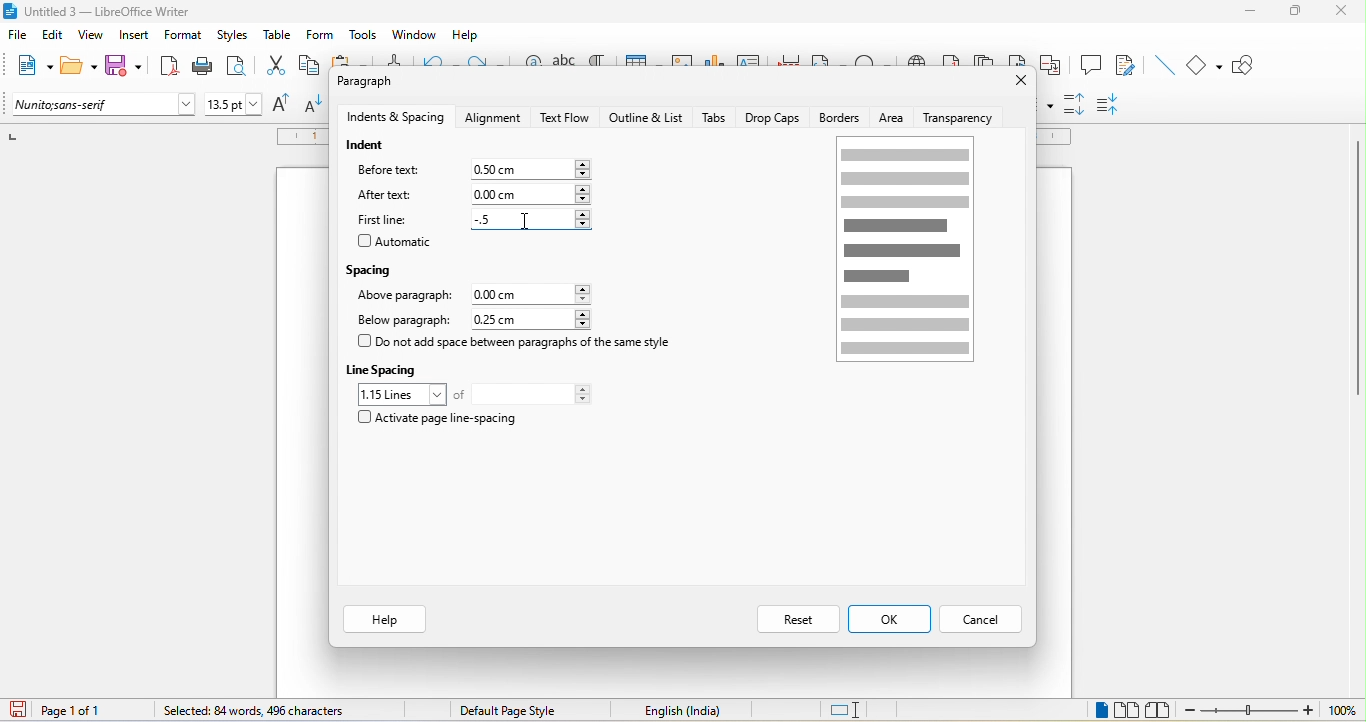 This screenshot has width=1366, height=722. I want to click on alignment, so click(492, 115).